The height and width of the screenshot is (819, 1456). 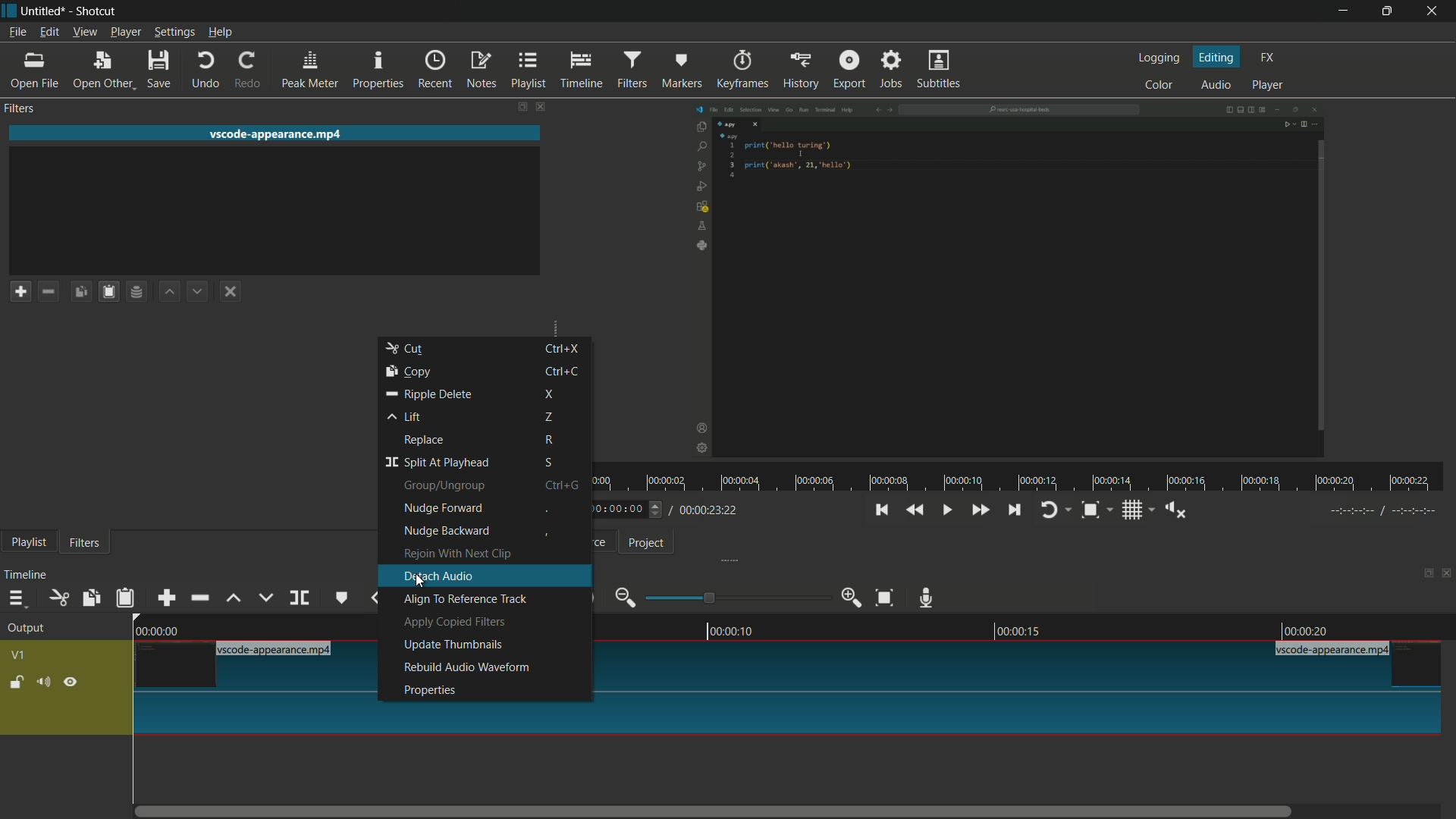 I want to click on ripple delete, so click(x=426, y=394).